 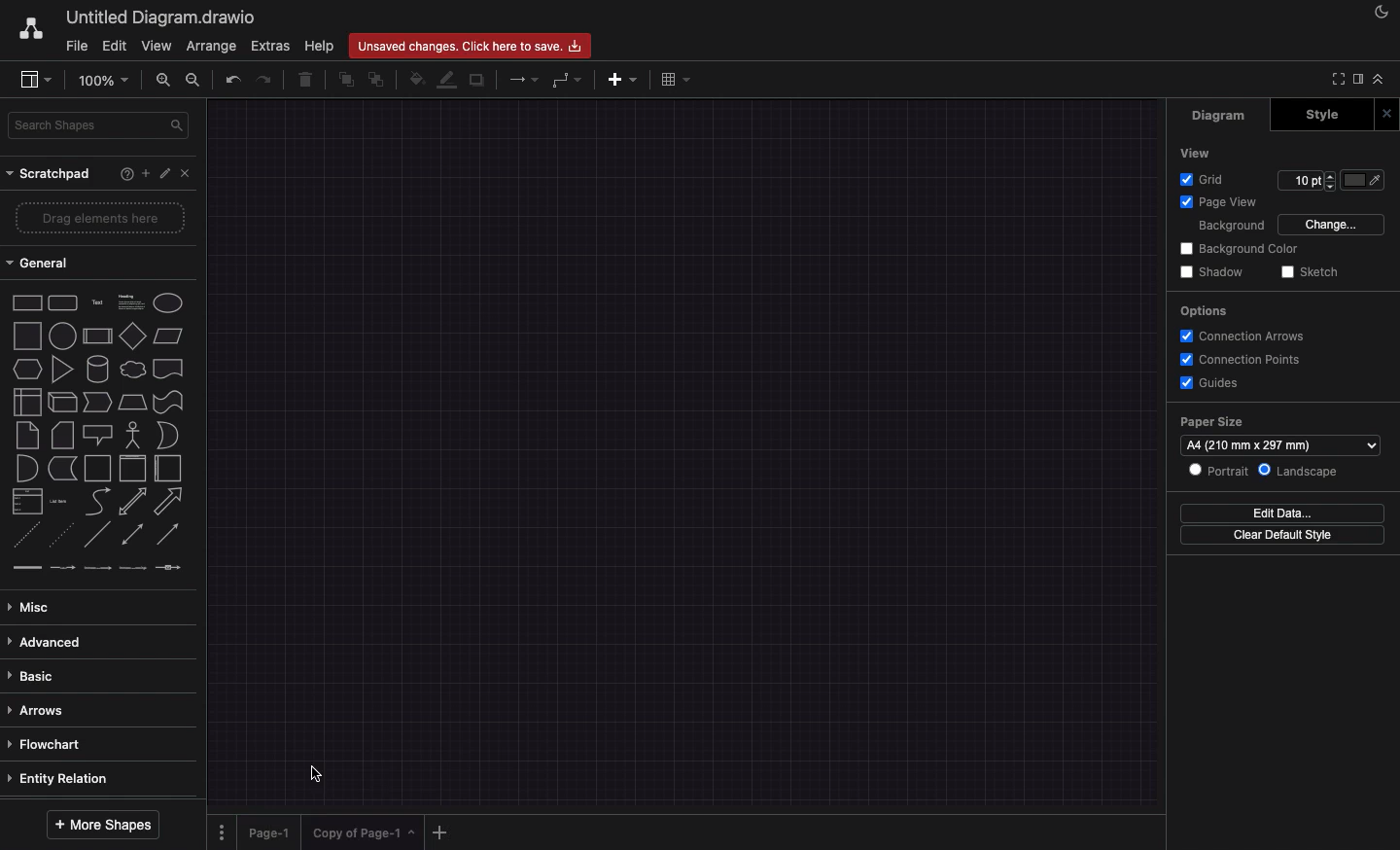 What do you see at coordinates (28, 303) in the screenshot?
I see `rectangle` at bounding box center [28, 303].